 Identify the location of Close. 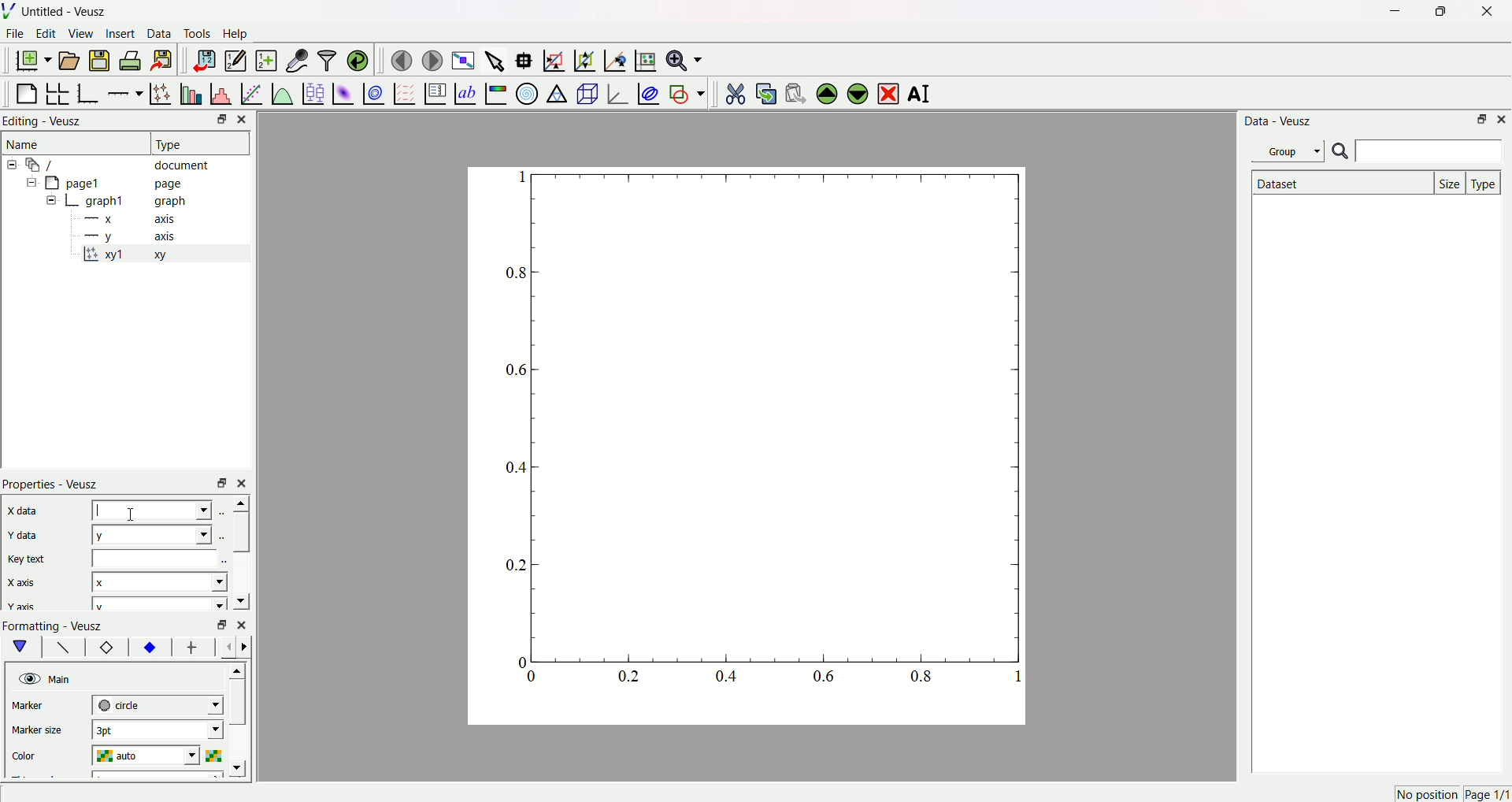
(1503, 120).